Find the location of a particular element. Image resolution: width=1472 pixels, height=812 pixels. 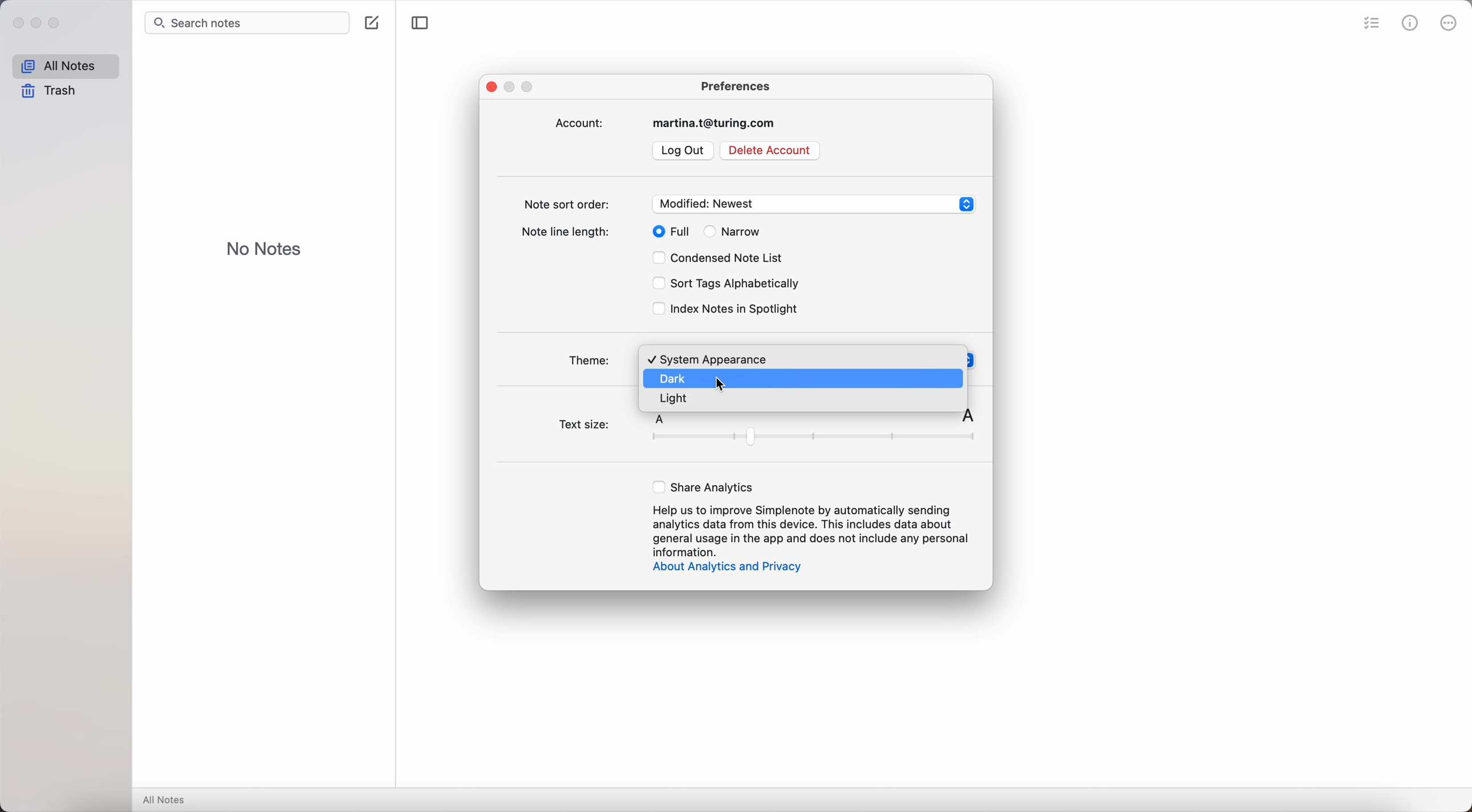

trash is located at coordinates (51, 91).